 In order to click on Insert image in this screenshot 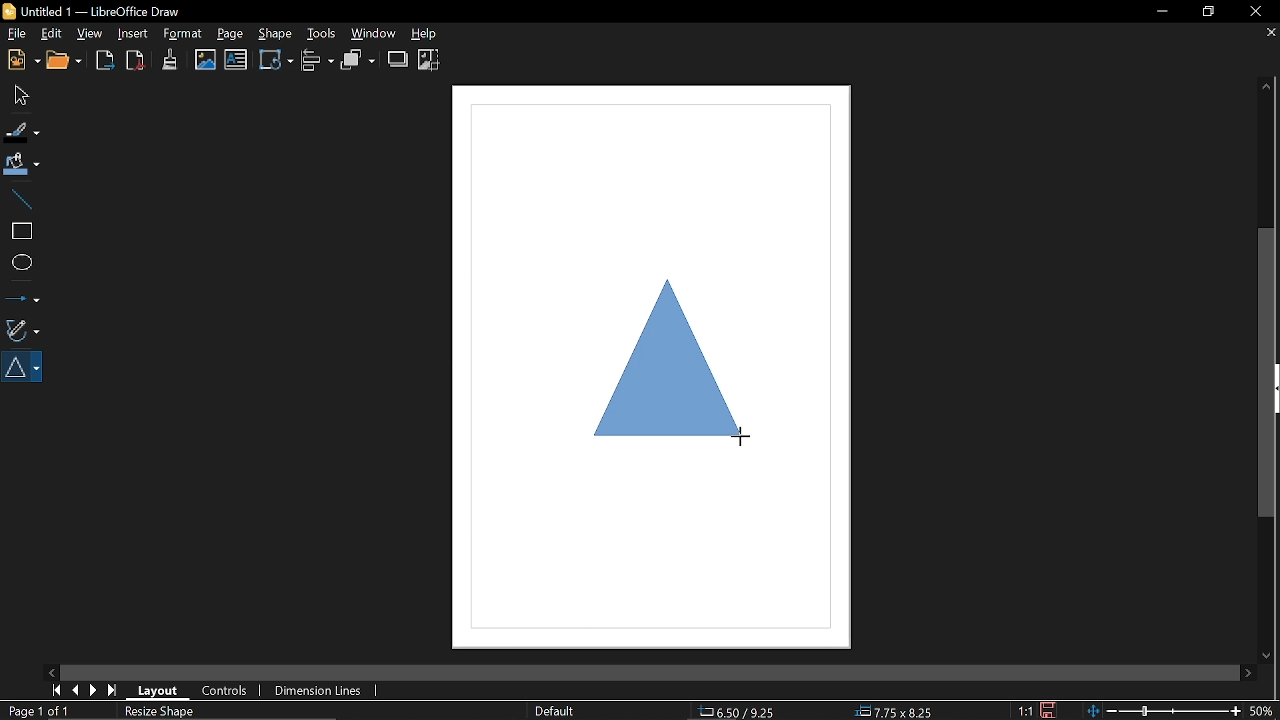, I will do `click(236, 60)`.